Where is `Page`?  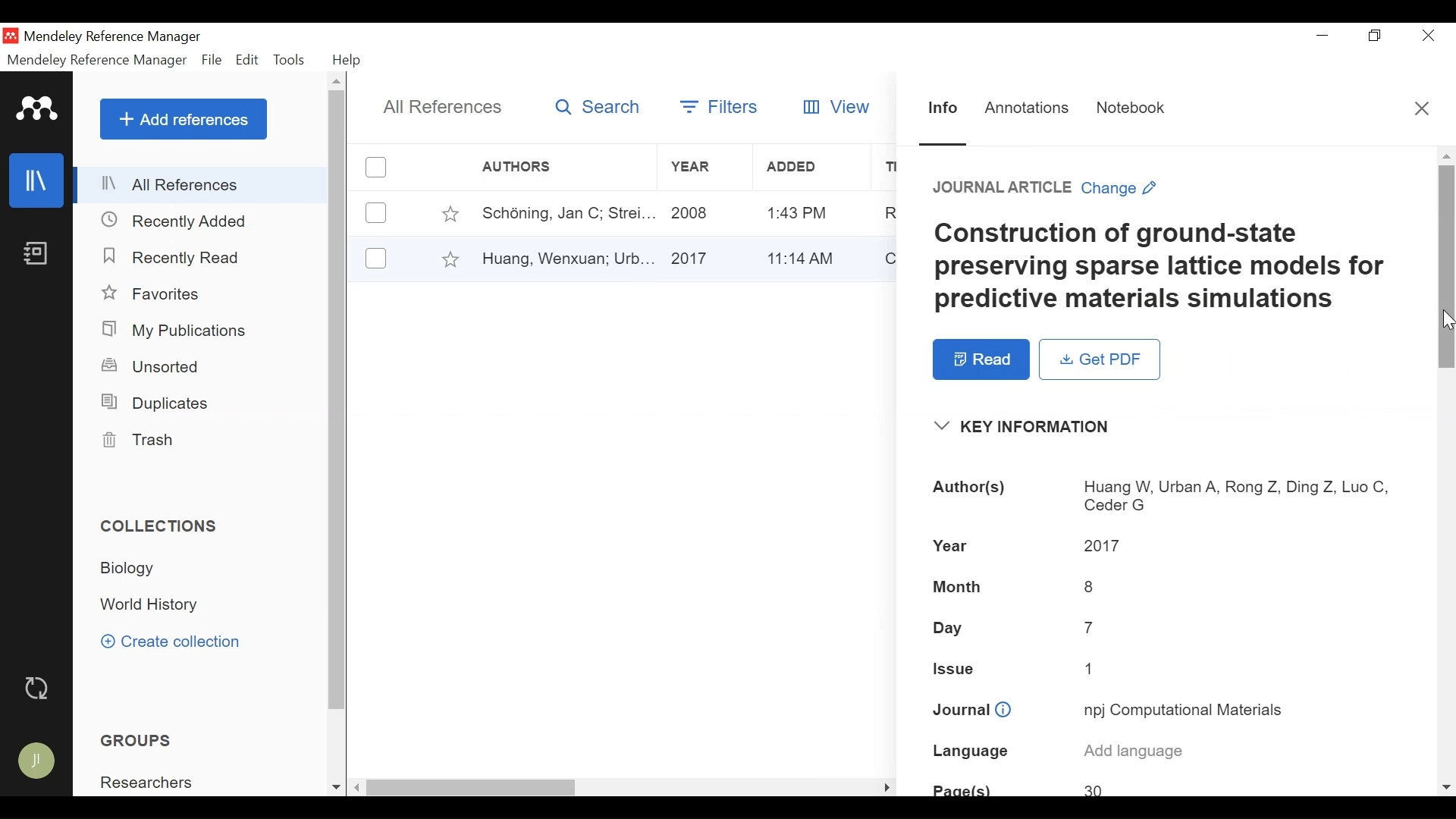
Page is located at coordinates (1166, 786).